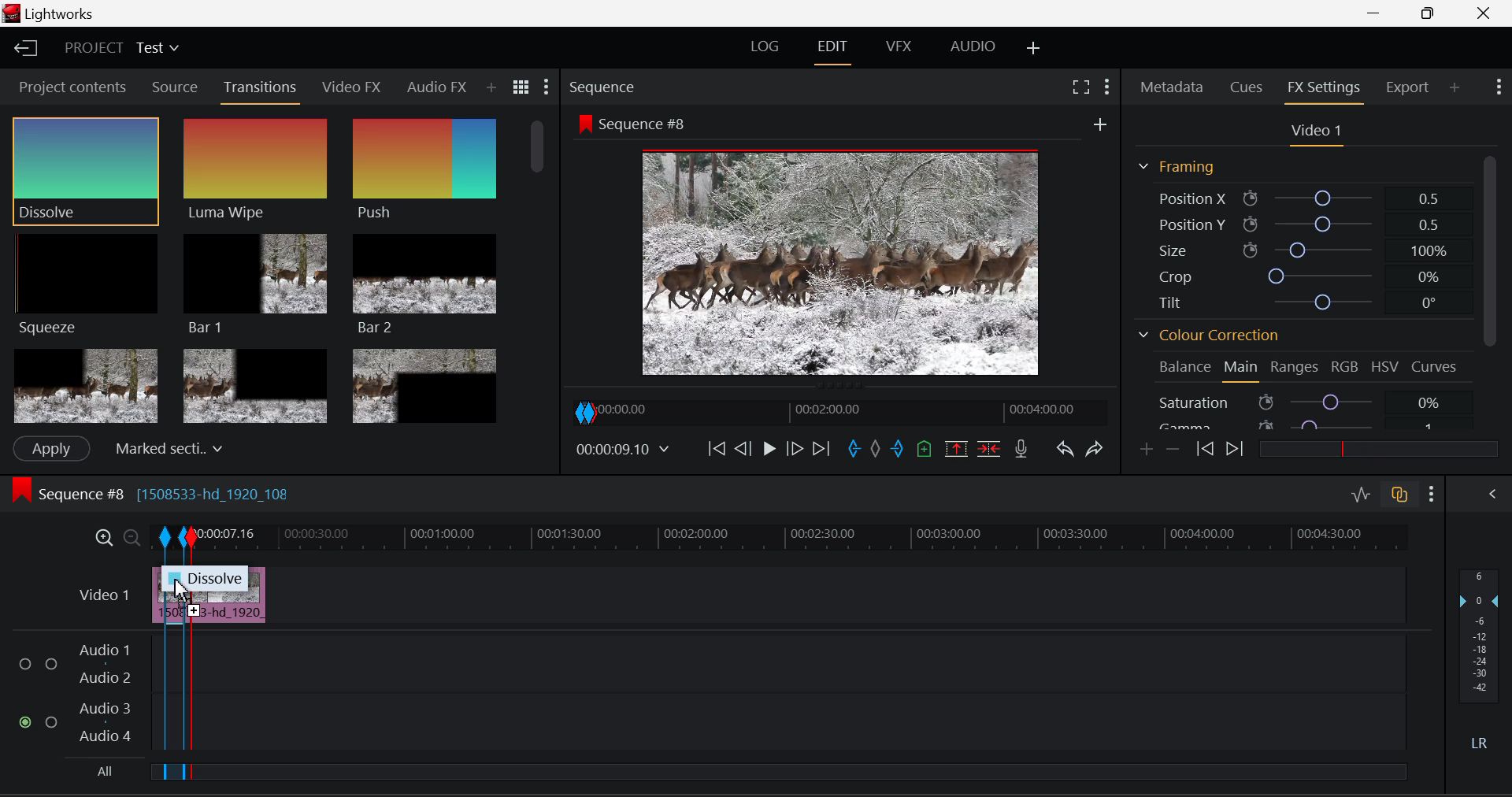  What do you see at coordinates (106, 679) in the screenshot?
I see `Audio 2` at bounding box center [106, 679].